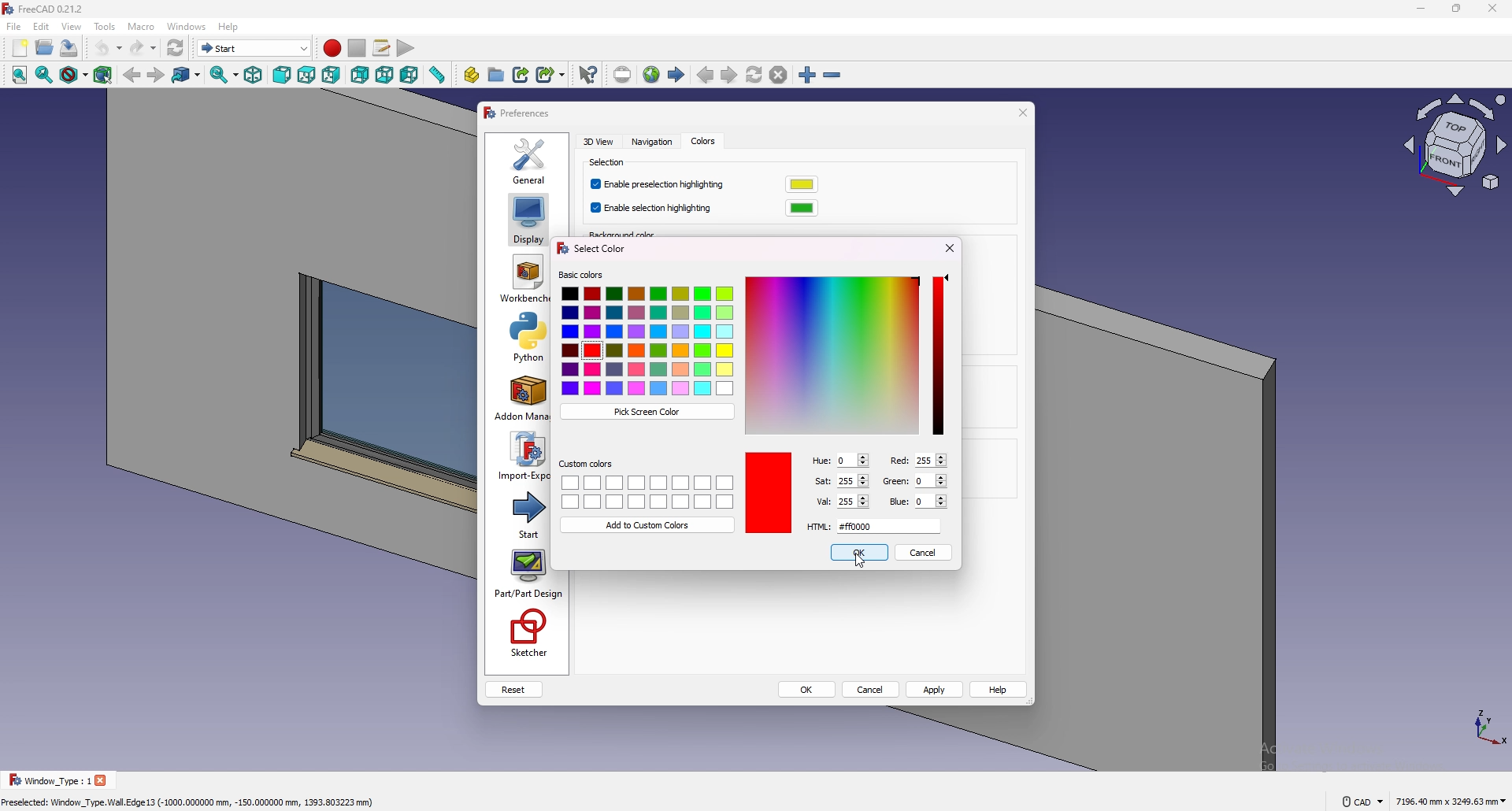 This screenshot has width=1512, height=811. Describe the element at coordinates (755, 75) in the screenshot. I see `refresh web page` at that location.